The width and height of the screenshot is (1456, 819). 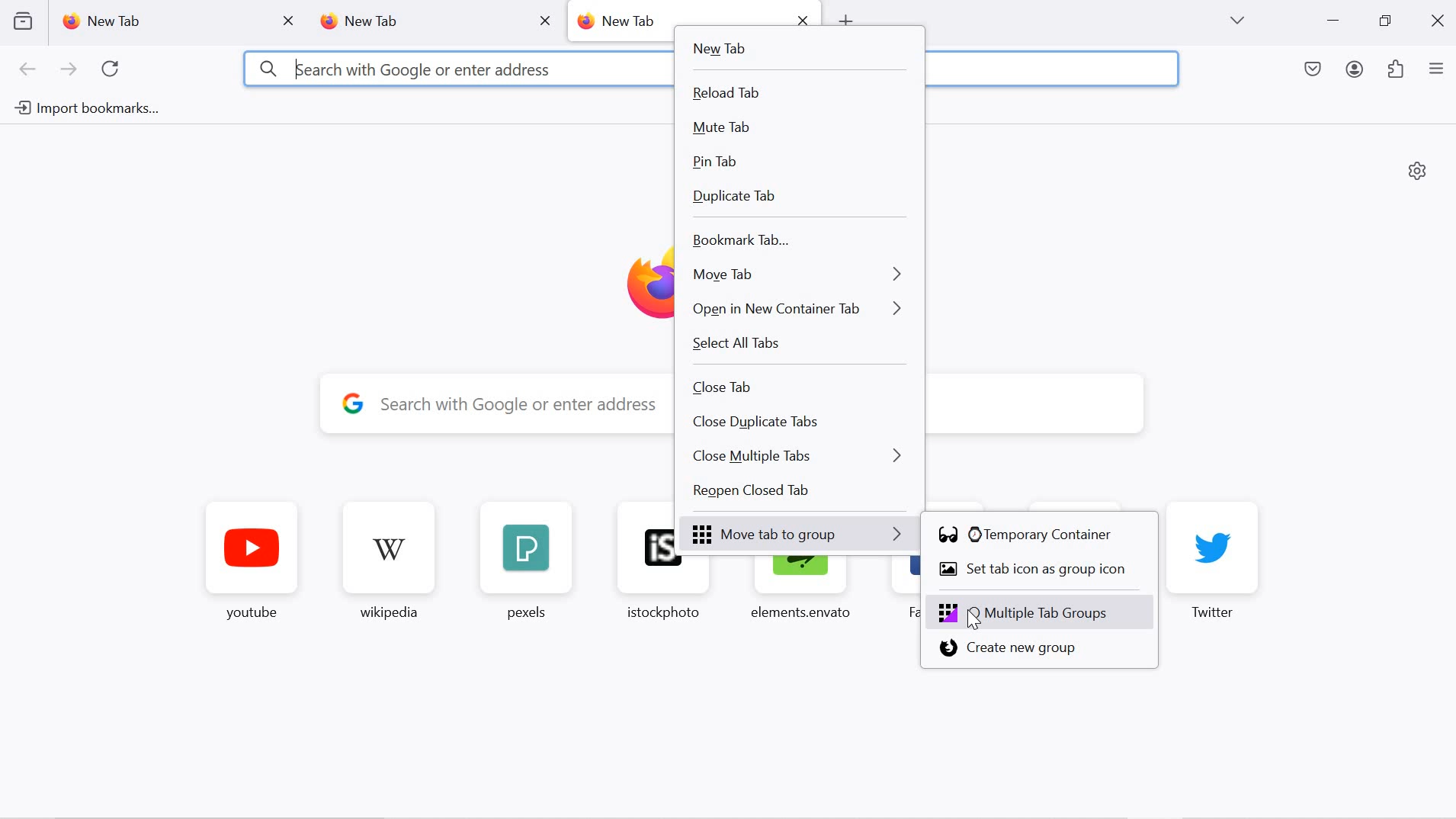 What do you see at coordinates (794, 93) in the screenshot?
I see `reload tab` at bounding box center [794, 93].